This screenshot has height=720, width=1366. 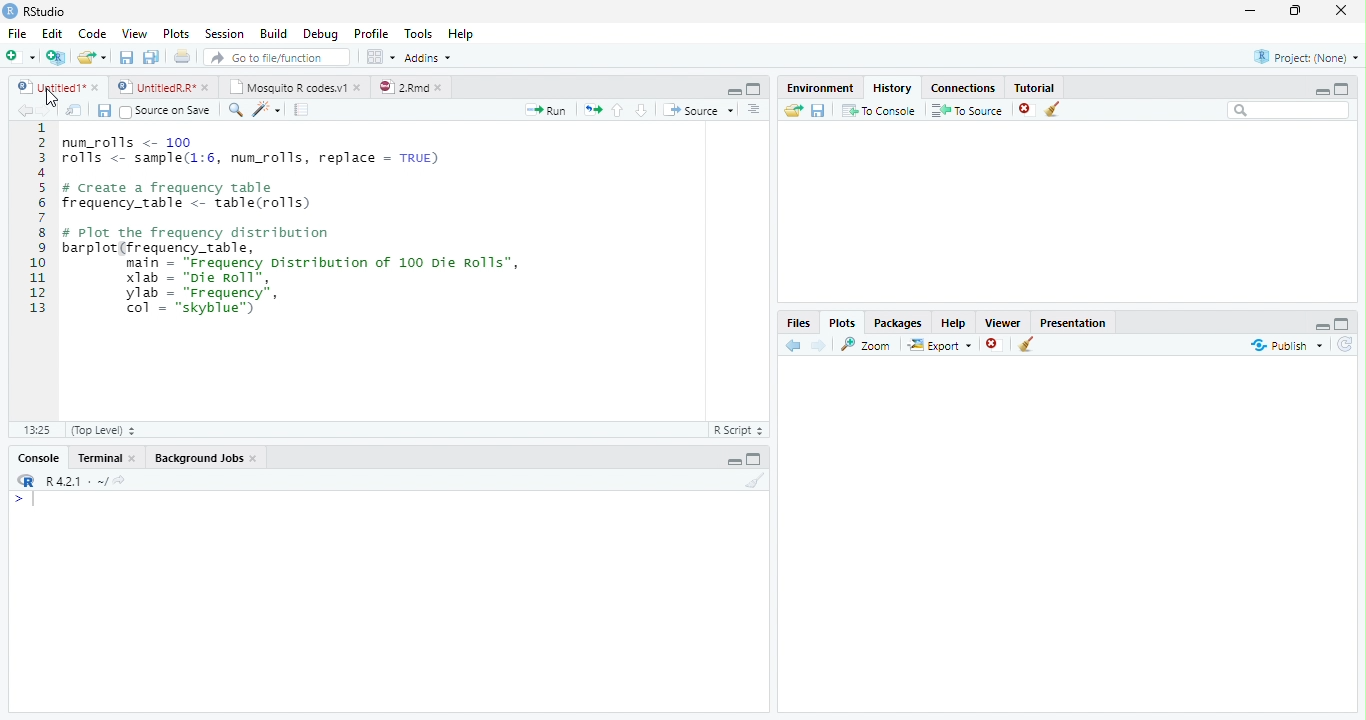 What do you see at coordinates (1053, 109) in the screenshot?
I see `Clear` at bounding box center [1053, 109].